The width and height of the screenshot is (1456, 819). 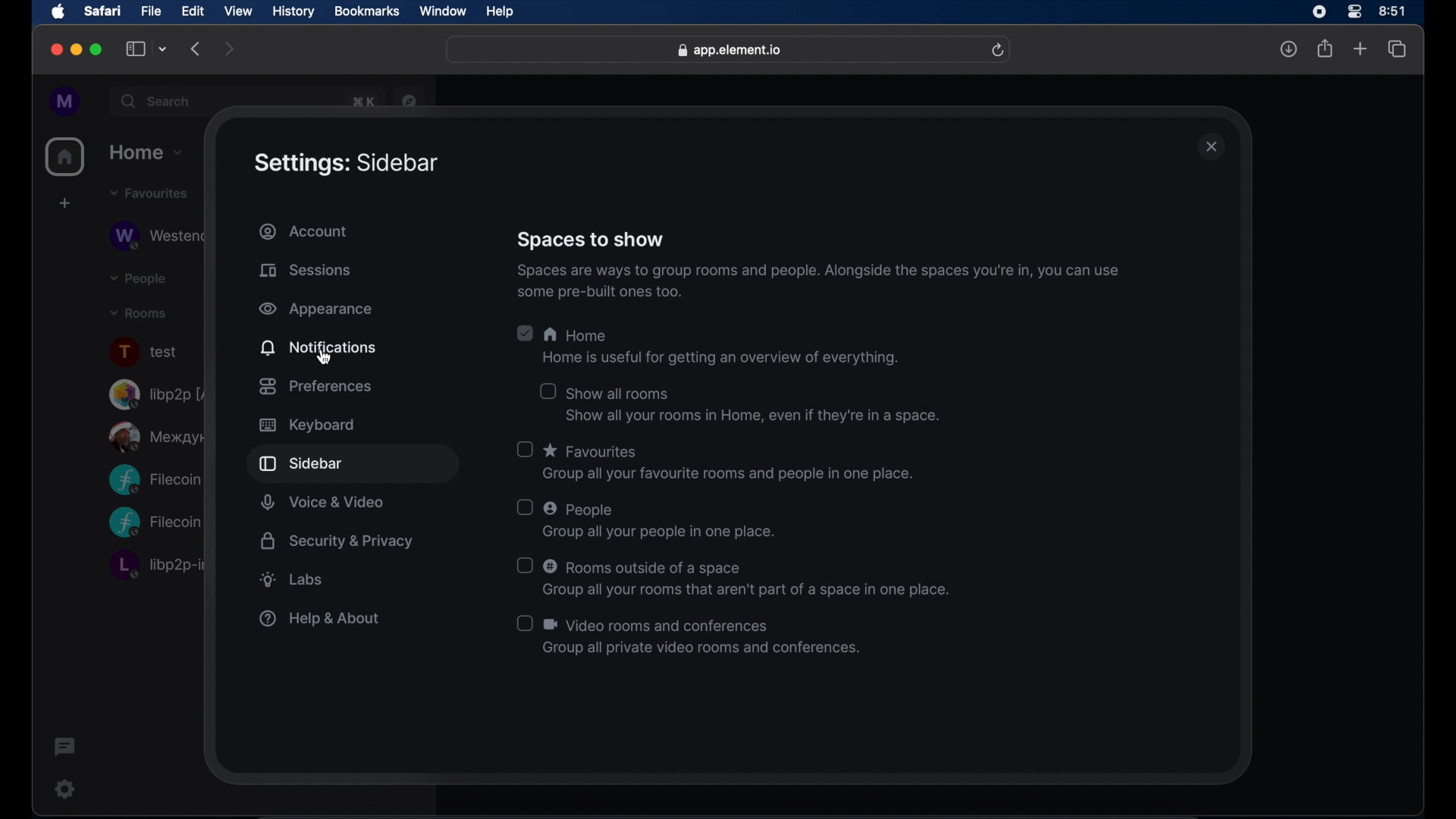 I want to click on notifications, so click(x=321, y=348).